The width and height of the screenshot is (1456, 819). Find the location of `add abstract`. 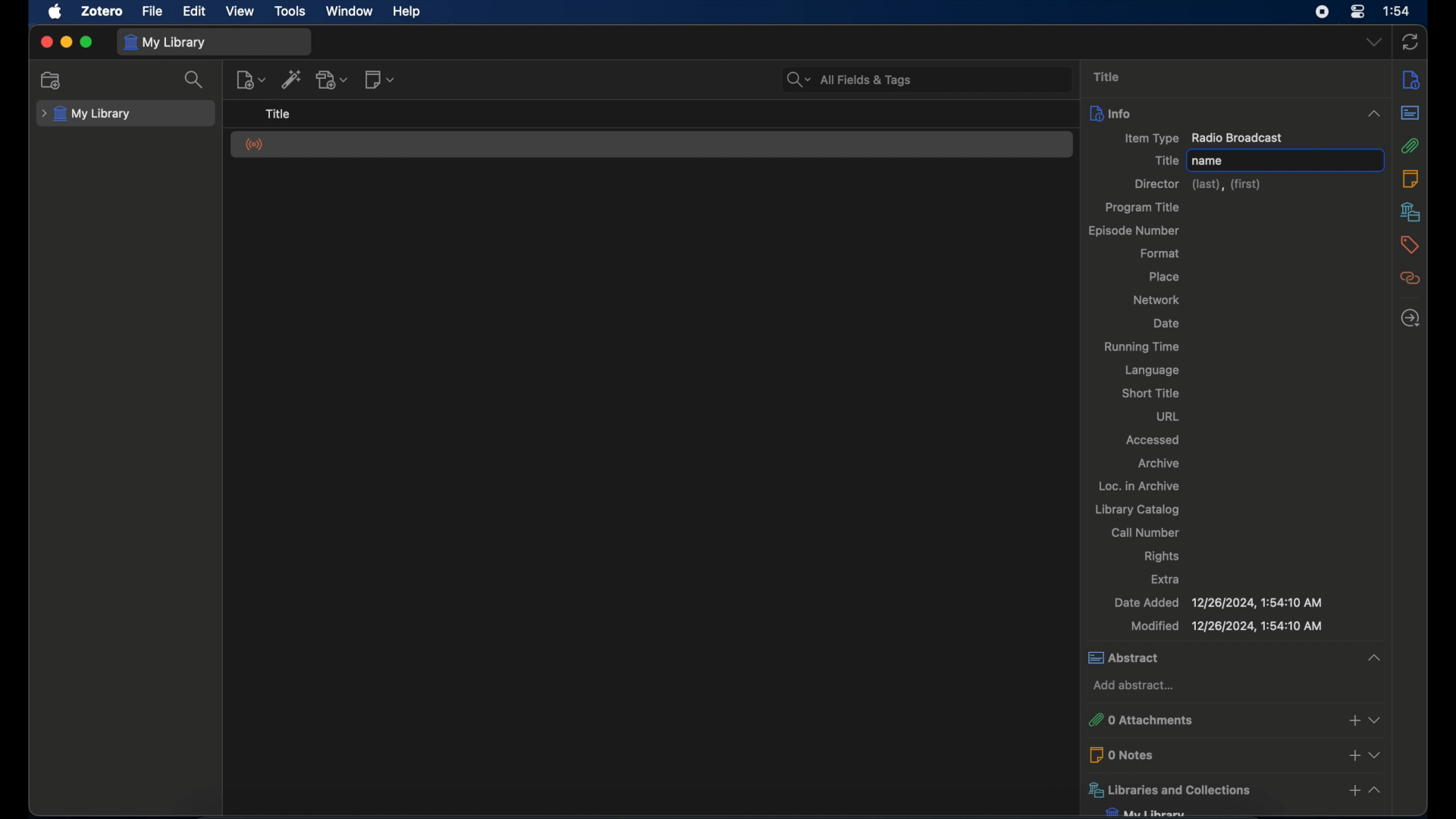

add abstract is located at coordinates (1137, 686).